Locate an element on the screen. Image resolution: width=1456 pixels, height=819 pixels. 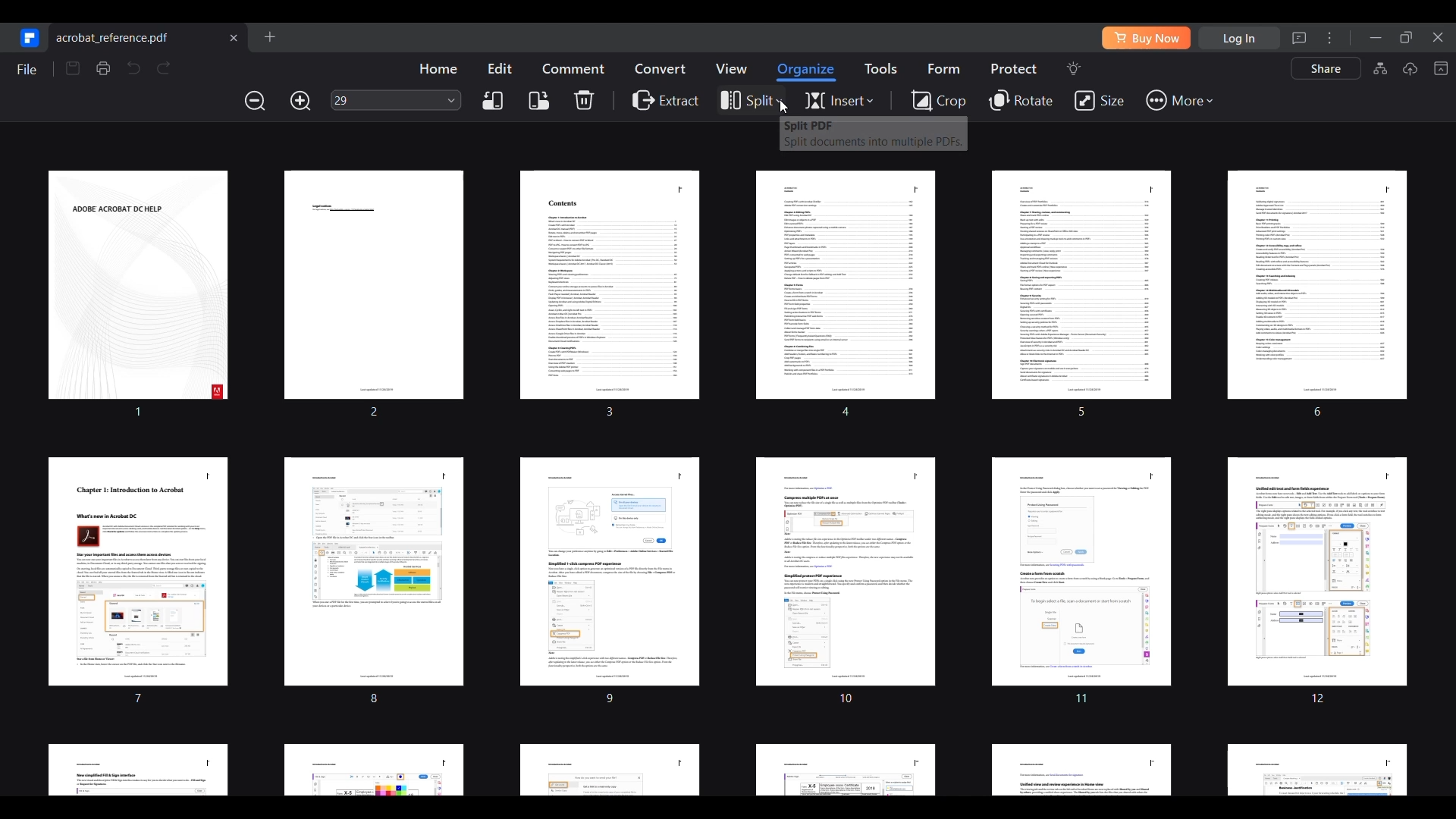
View is located at coordinates (730, 68).